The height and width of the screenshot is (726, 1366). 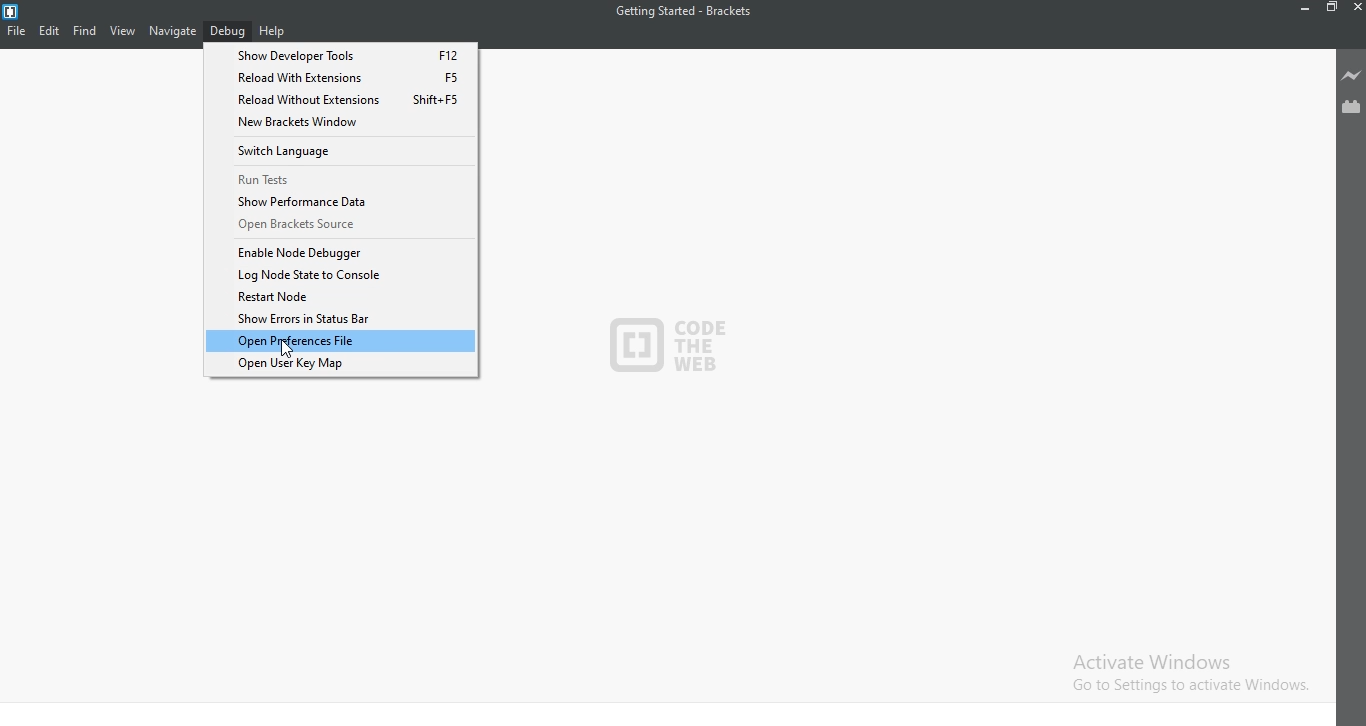 What do you see at coordinates (1350, 75) in the screenshot?
I see `live preview` at bounding box center [1350, 75].